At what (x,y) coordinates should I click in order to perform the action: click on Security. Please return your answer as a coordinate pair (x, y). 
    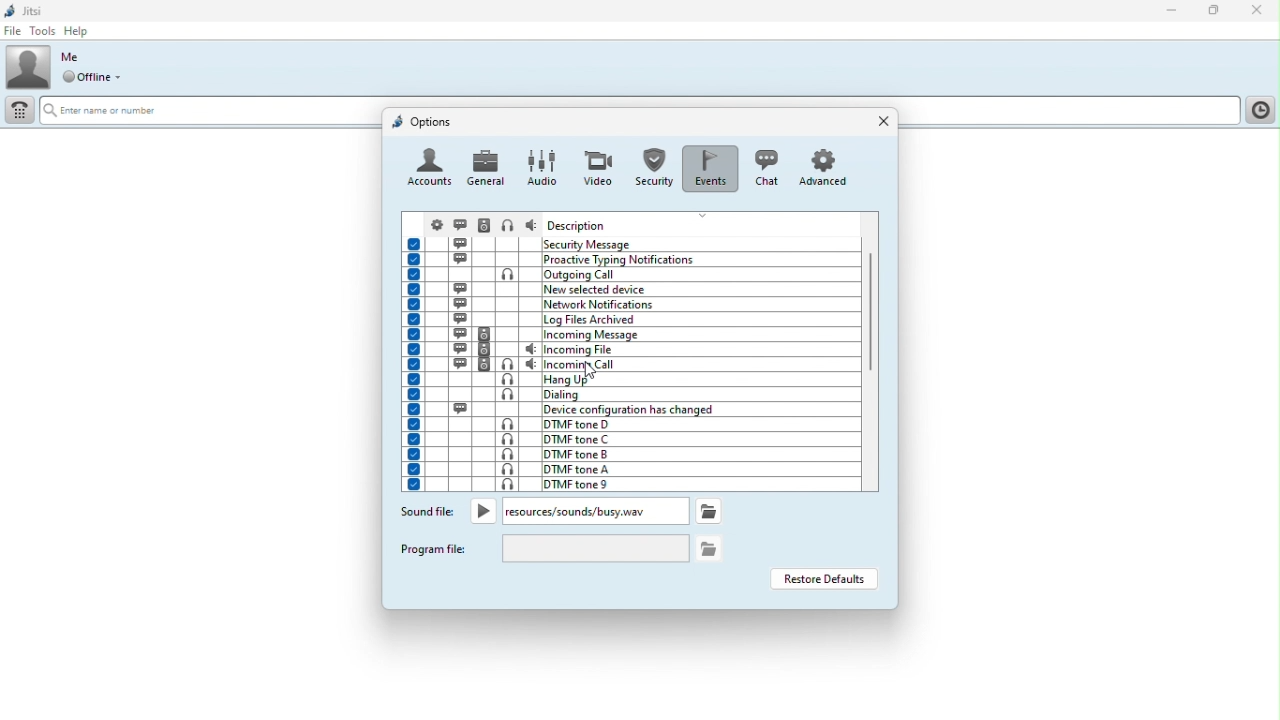
    Looking at the image, I should click on (652, 164).